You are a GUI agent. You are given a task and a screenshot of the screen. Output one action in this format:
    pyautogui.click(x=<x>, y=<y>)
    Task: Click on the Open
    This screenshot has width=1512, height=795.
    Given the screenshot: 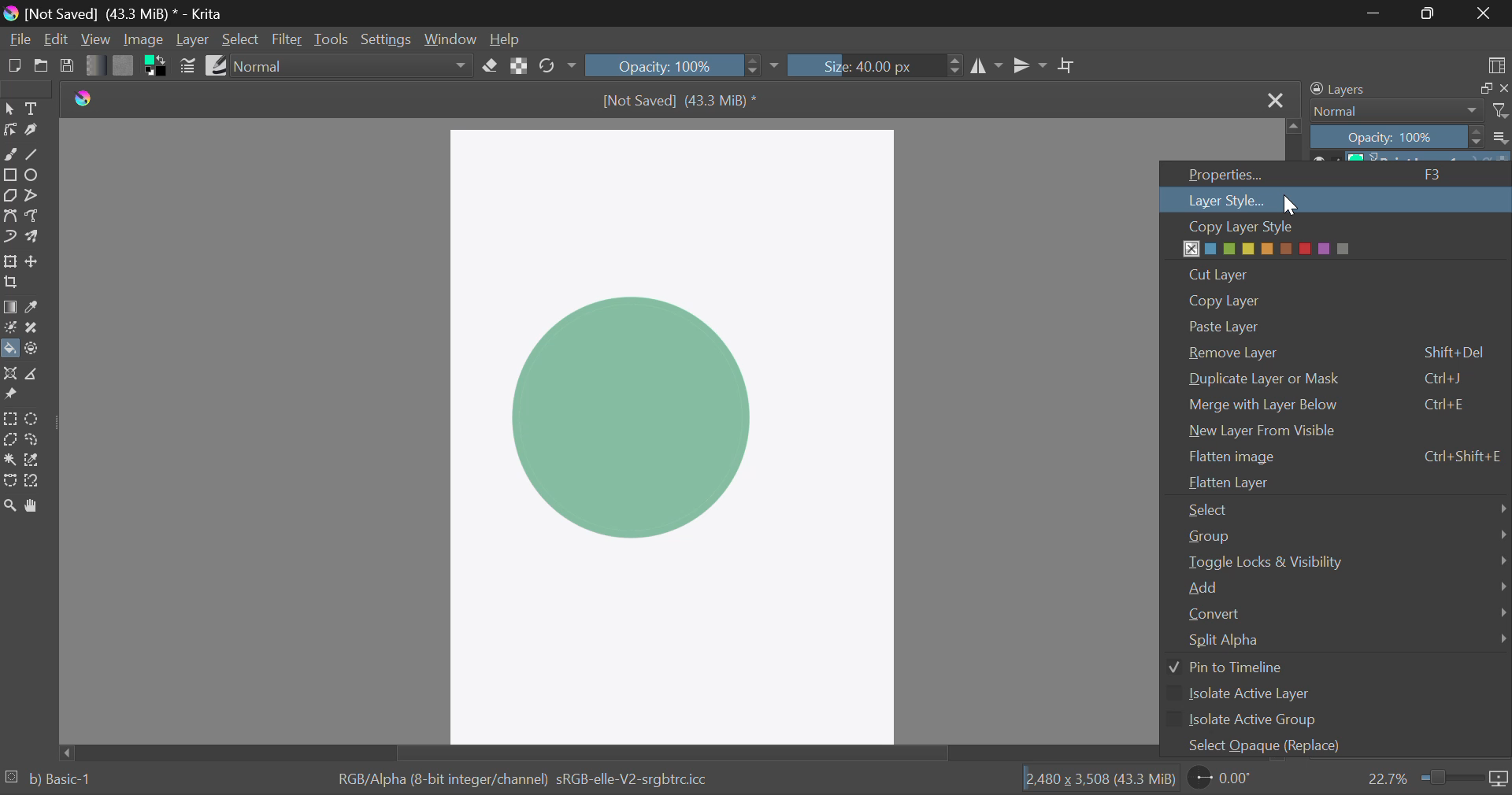 What is the action you would take?
    pyautogui.click(x=43, y=65)
    